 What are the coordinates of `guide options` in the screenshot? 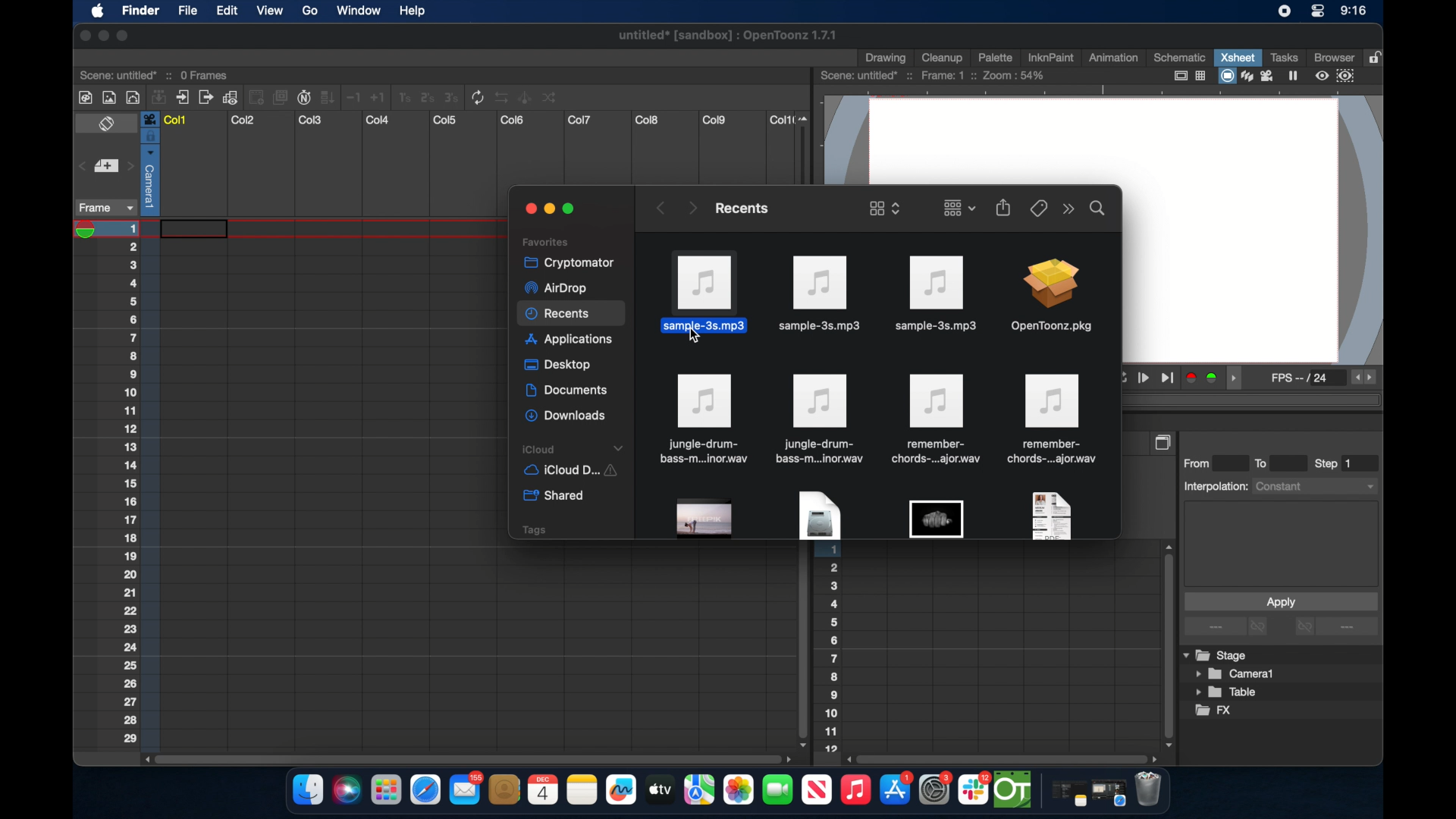 It's located at (1188, 76).